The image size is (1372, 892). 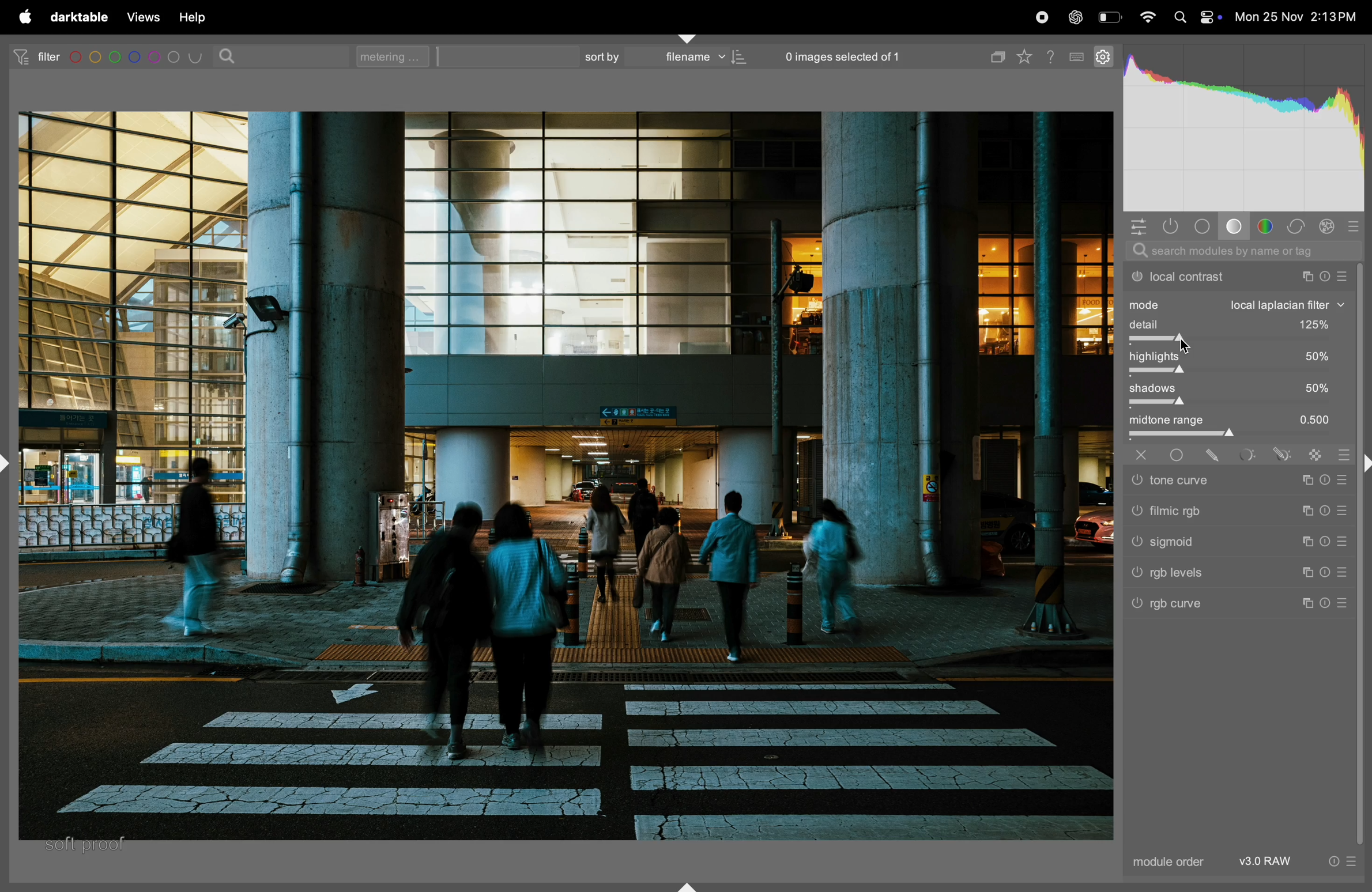 I want to click on shift+ctrl+r, so click(x=1363, y=466).